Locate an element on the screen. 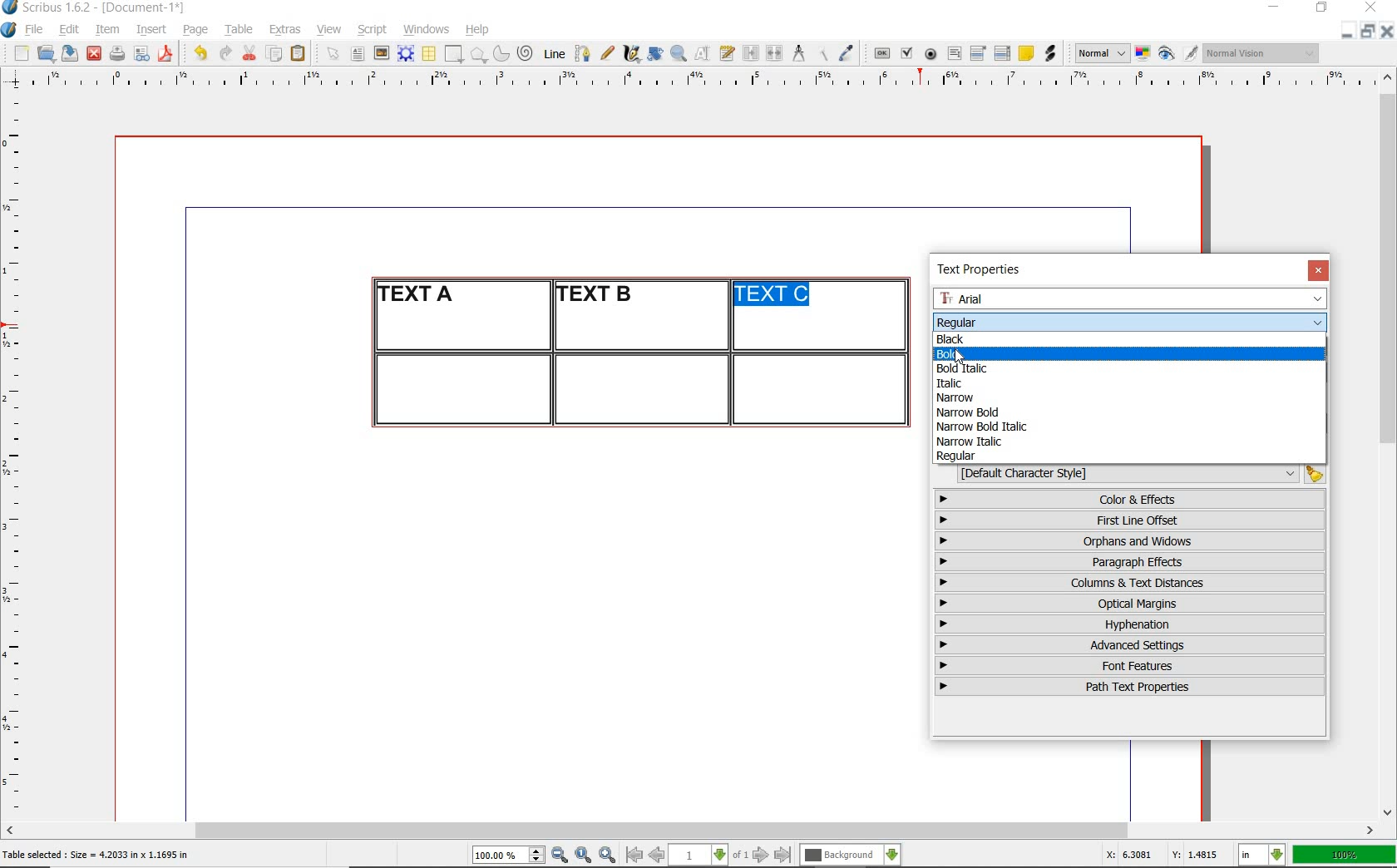 The width and height of the screenshot is (1397, 868). render frame is located at coordinates (406, 54).